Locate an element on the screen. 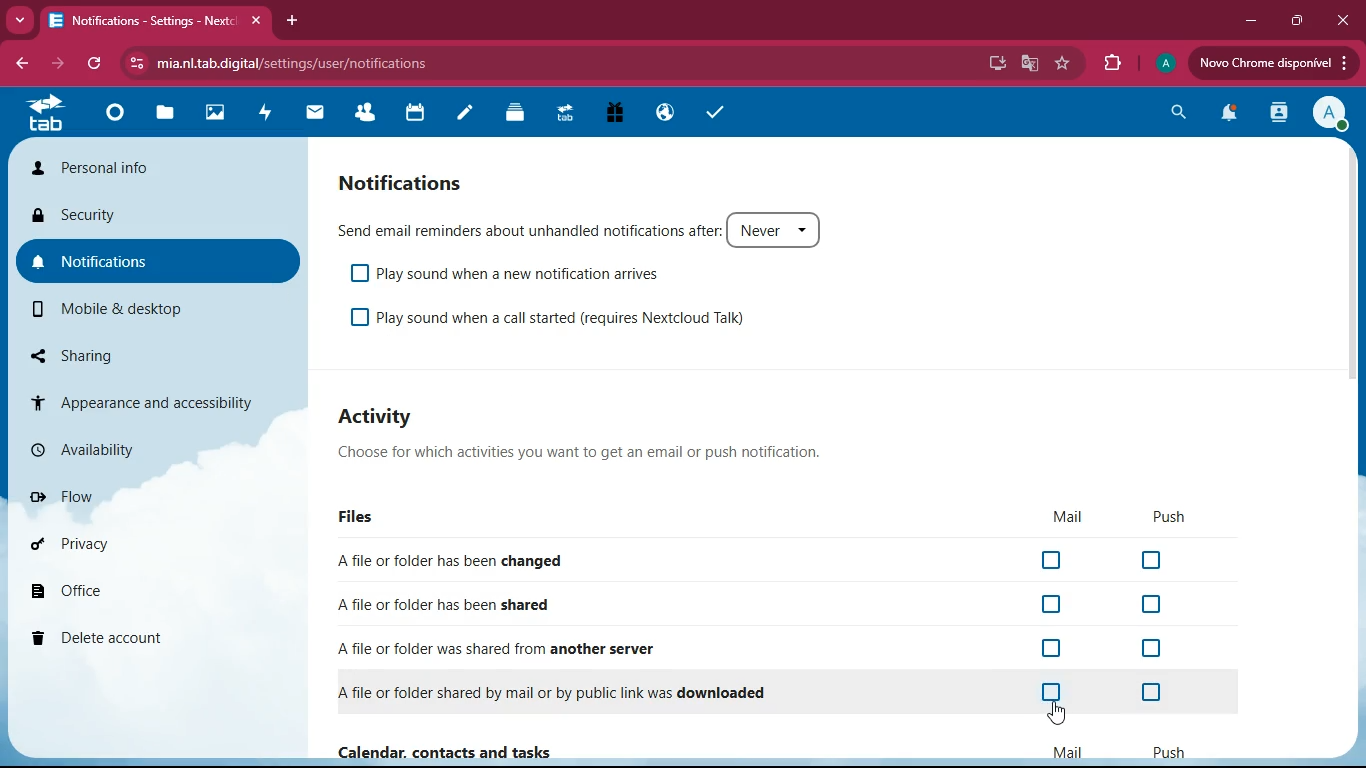  off is located at coordinates (1158, 692).